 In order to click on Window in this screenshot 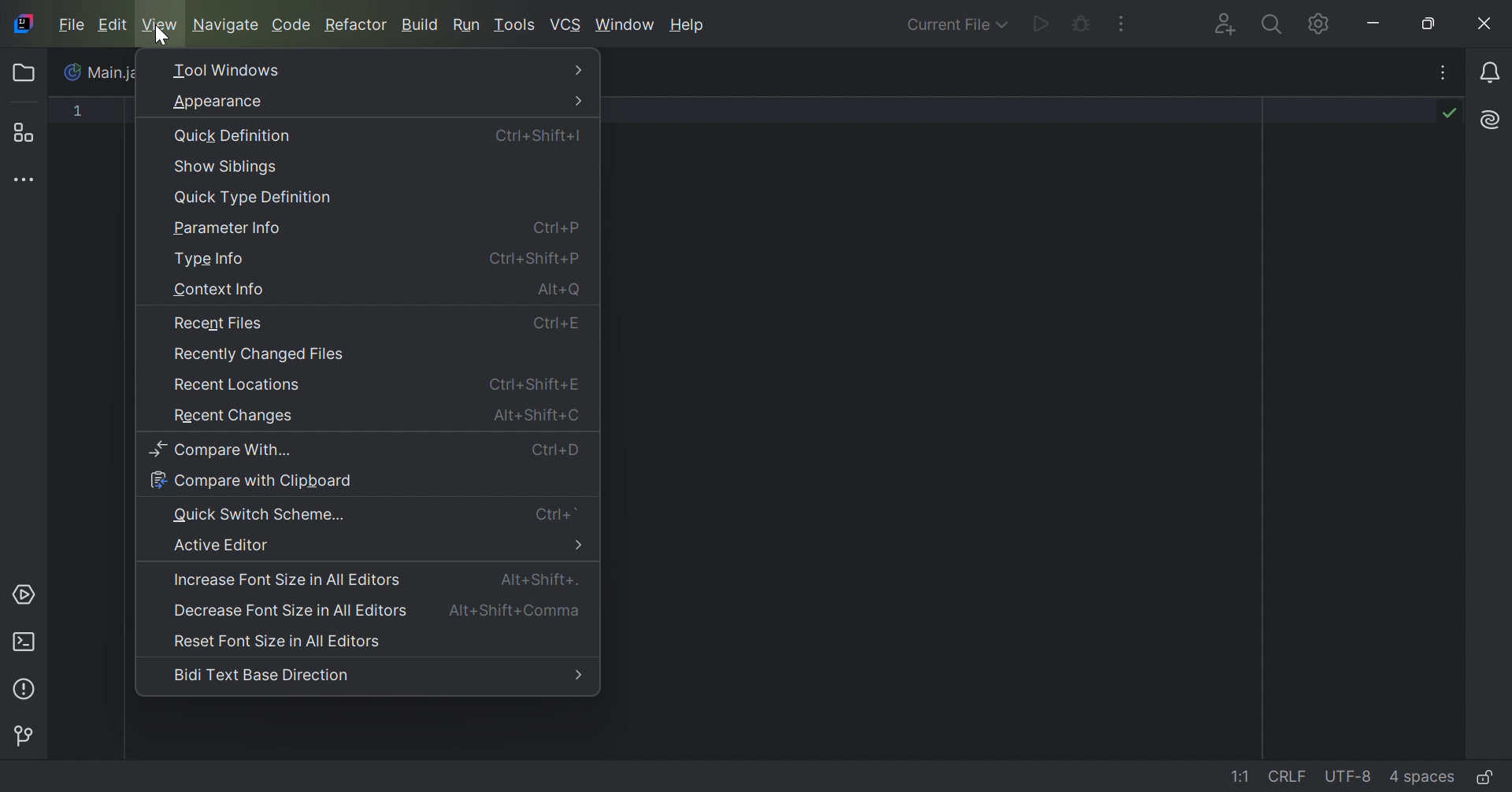, I will do `click(627, 24)`.